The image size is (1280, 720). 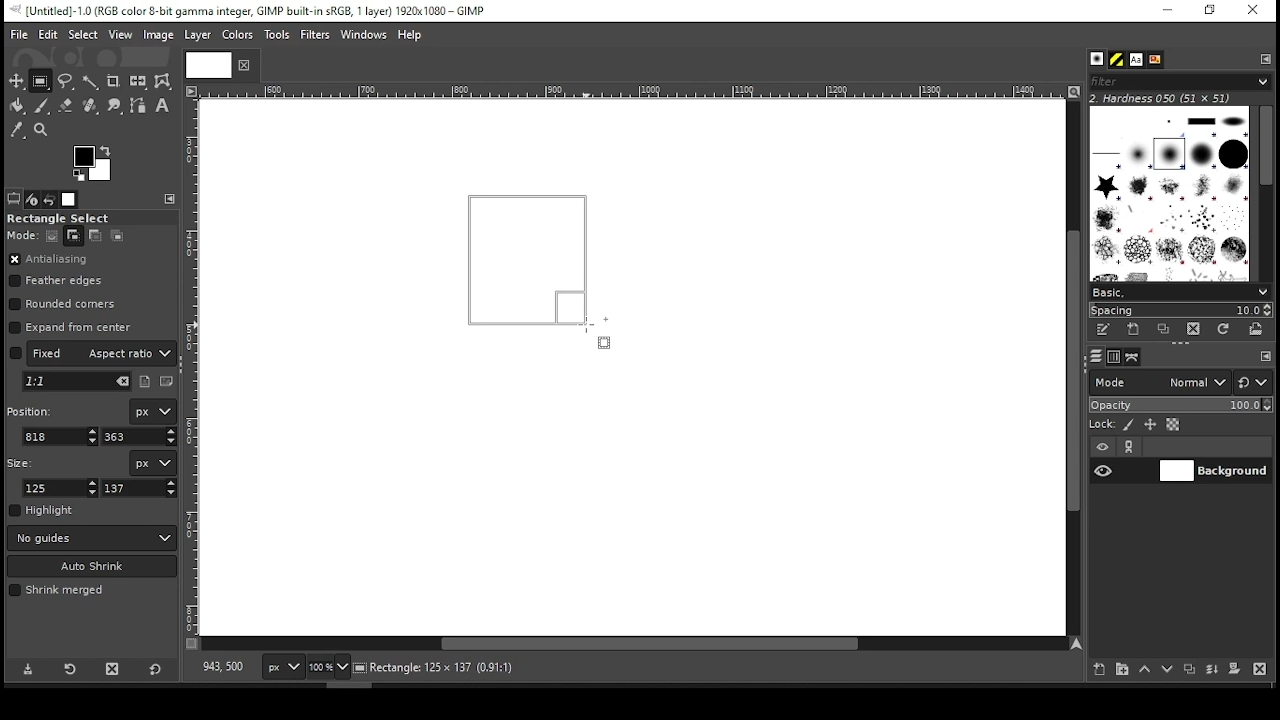 I want to click on , so click(x=193, y=367).